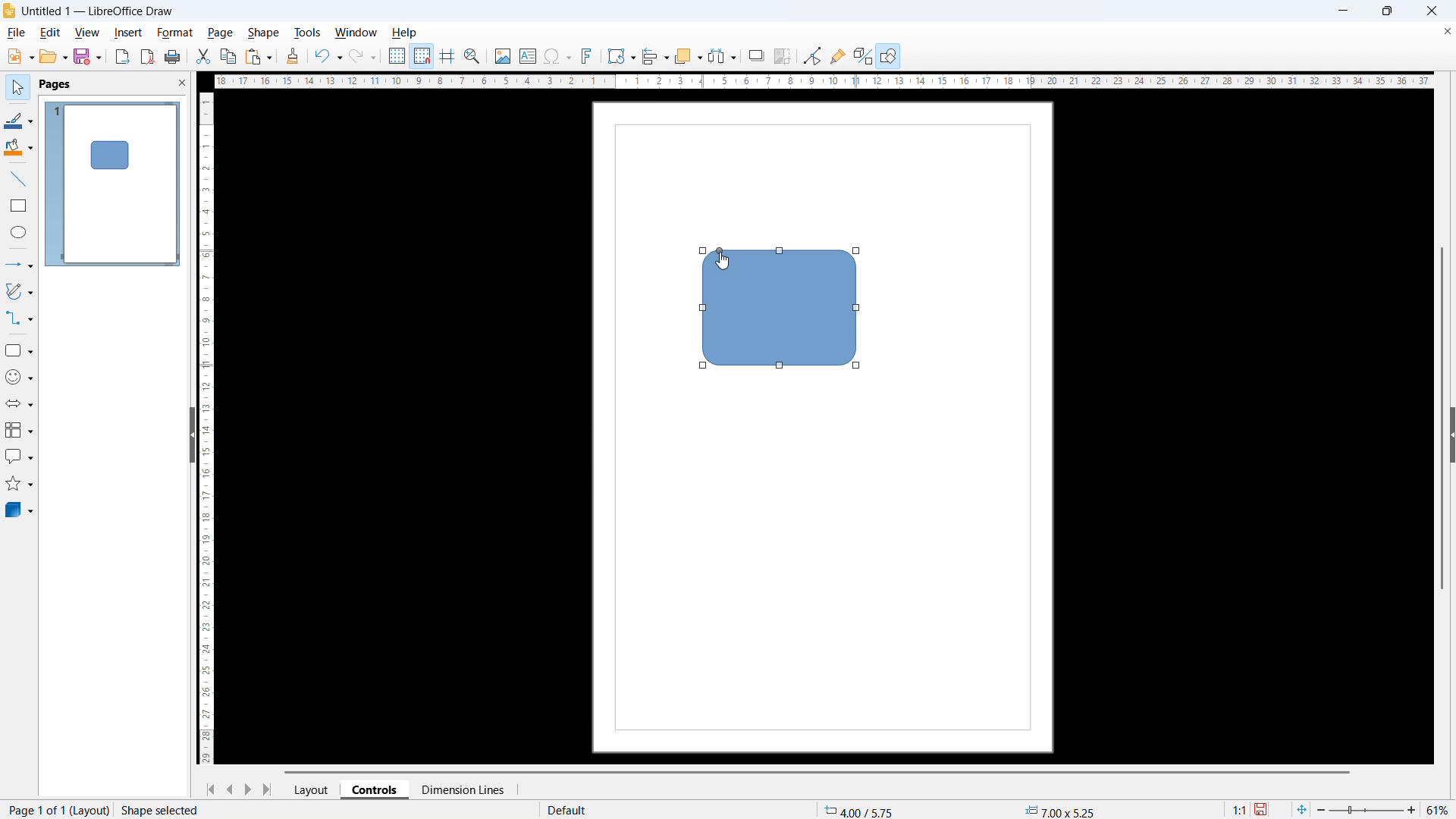  I want to click on Insert font work text , so click(587, 55).